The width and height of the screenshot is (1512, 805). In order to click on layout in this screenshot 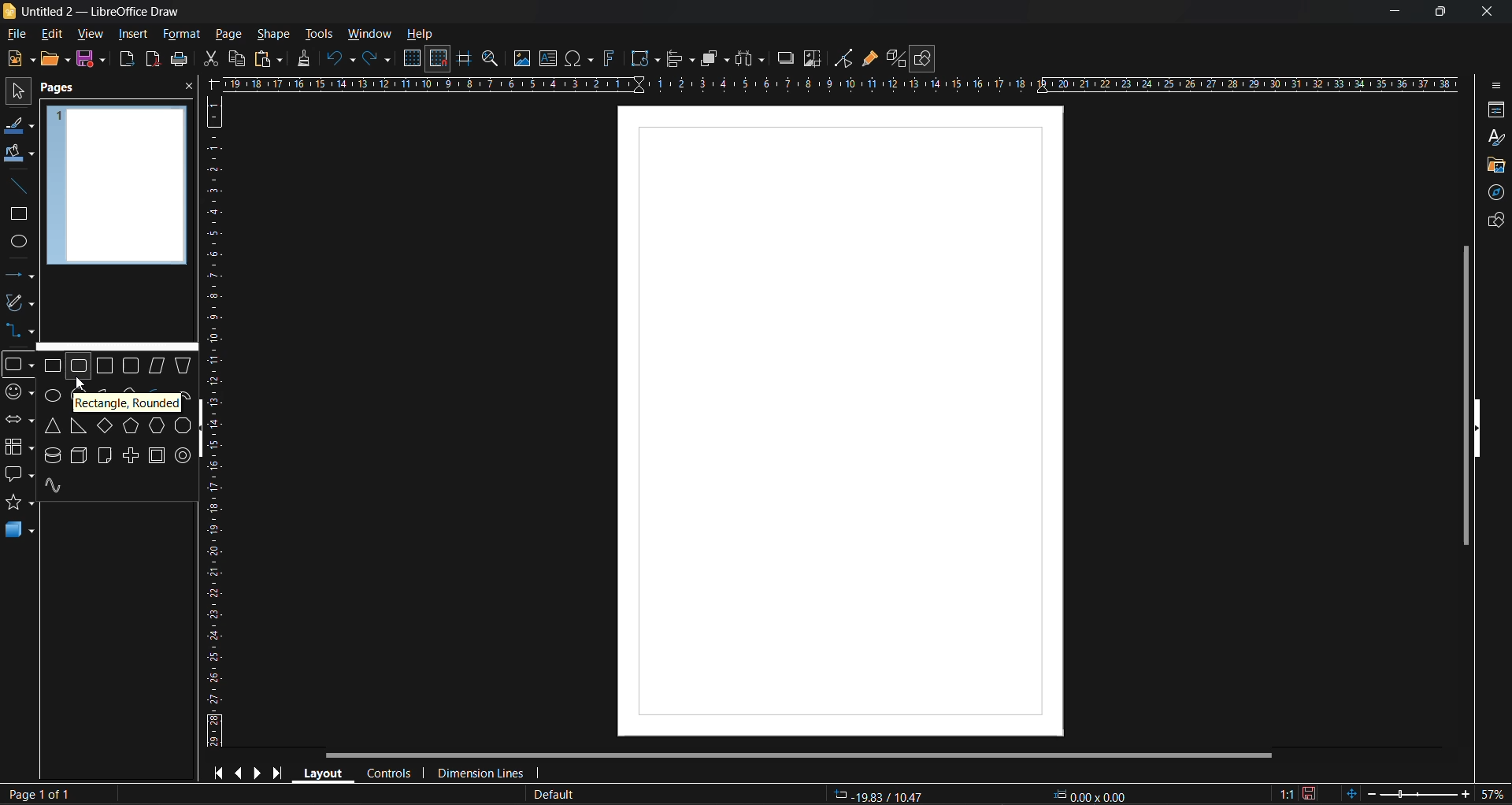, I will do `click(320, 772)`.